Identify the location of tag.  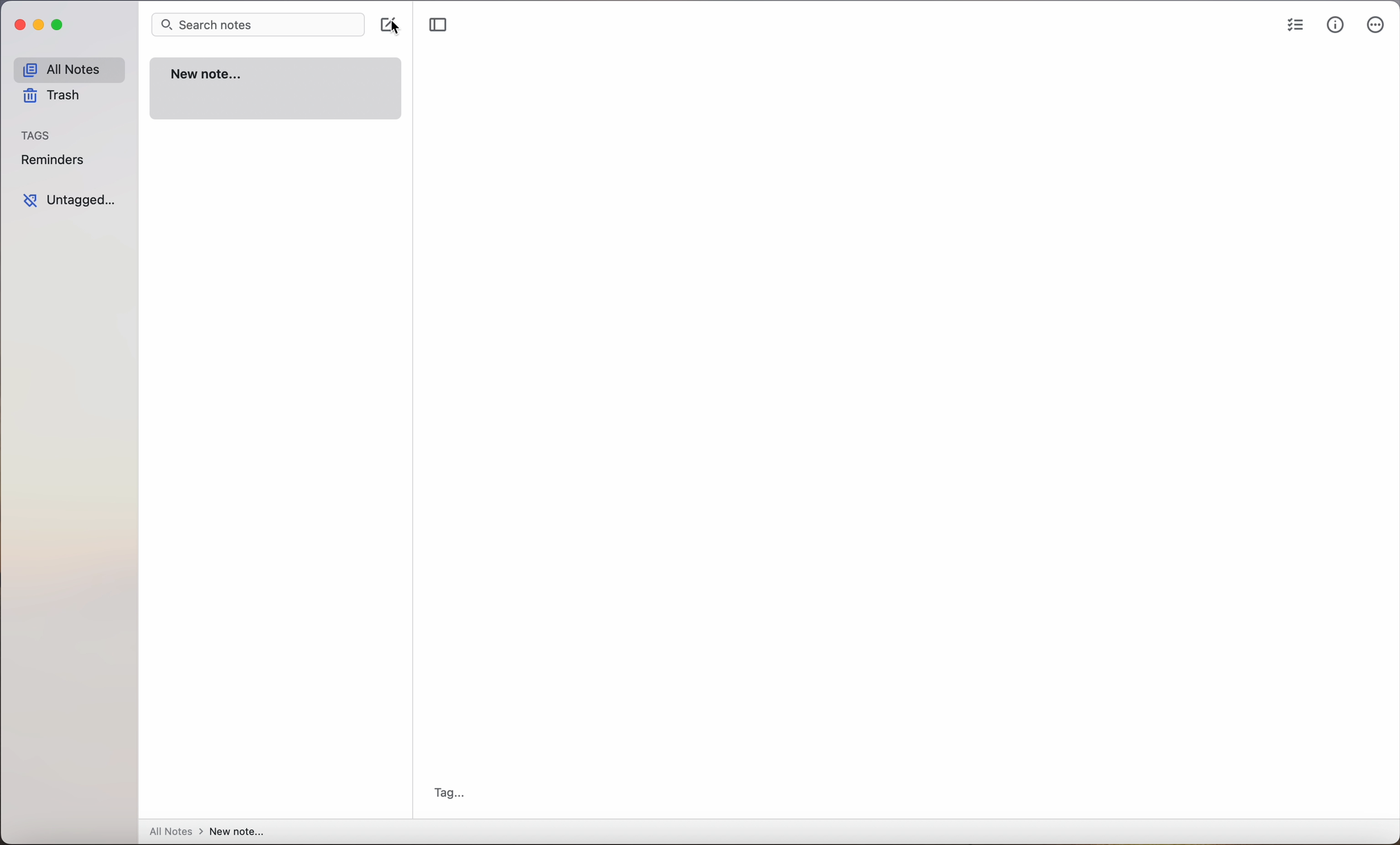
(449, 793).